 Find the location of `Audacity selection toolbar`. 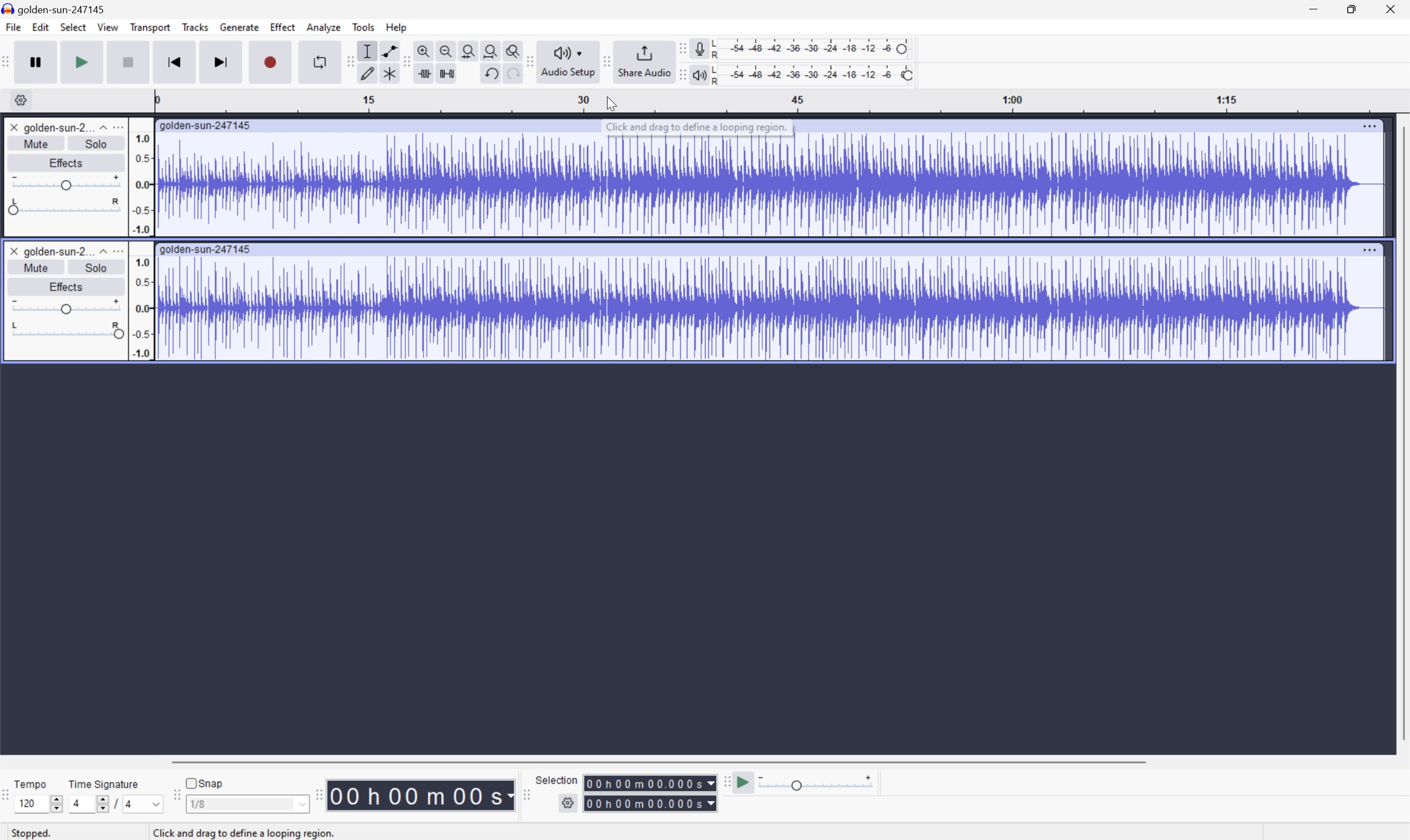

Audacity selection toolbar is located at coordinates (523, 792).